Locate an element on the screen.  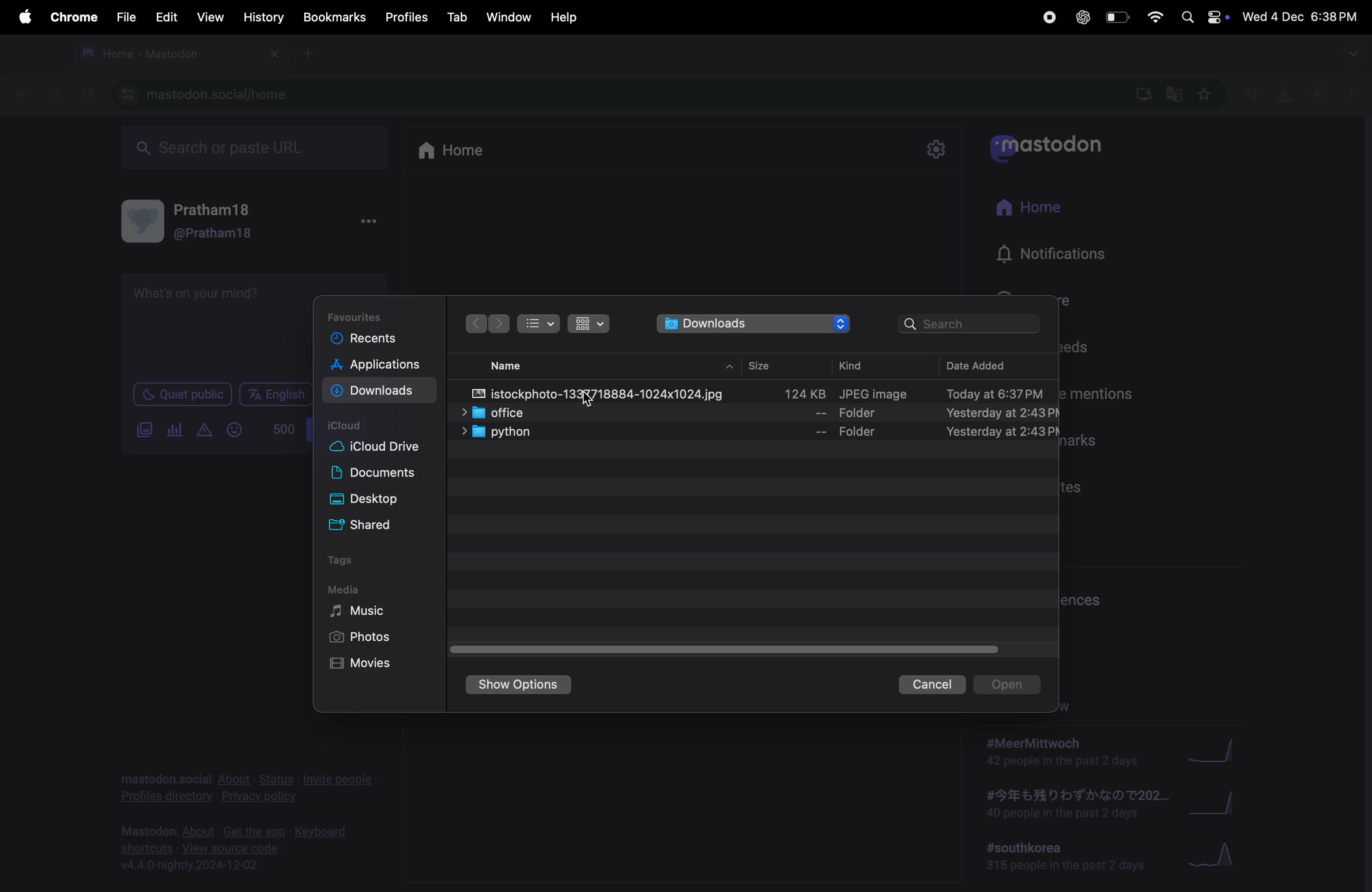
alert is located at coordinates (203, 429).